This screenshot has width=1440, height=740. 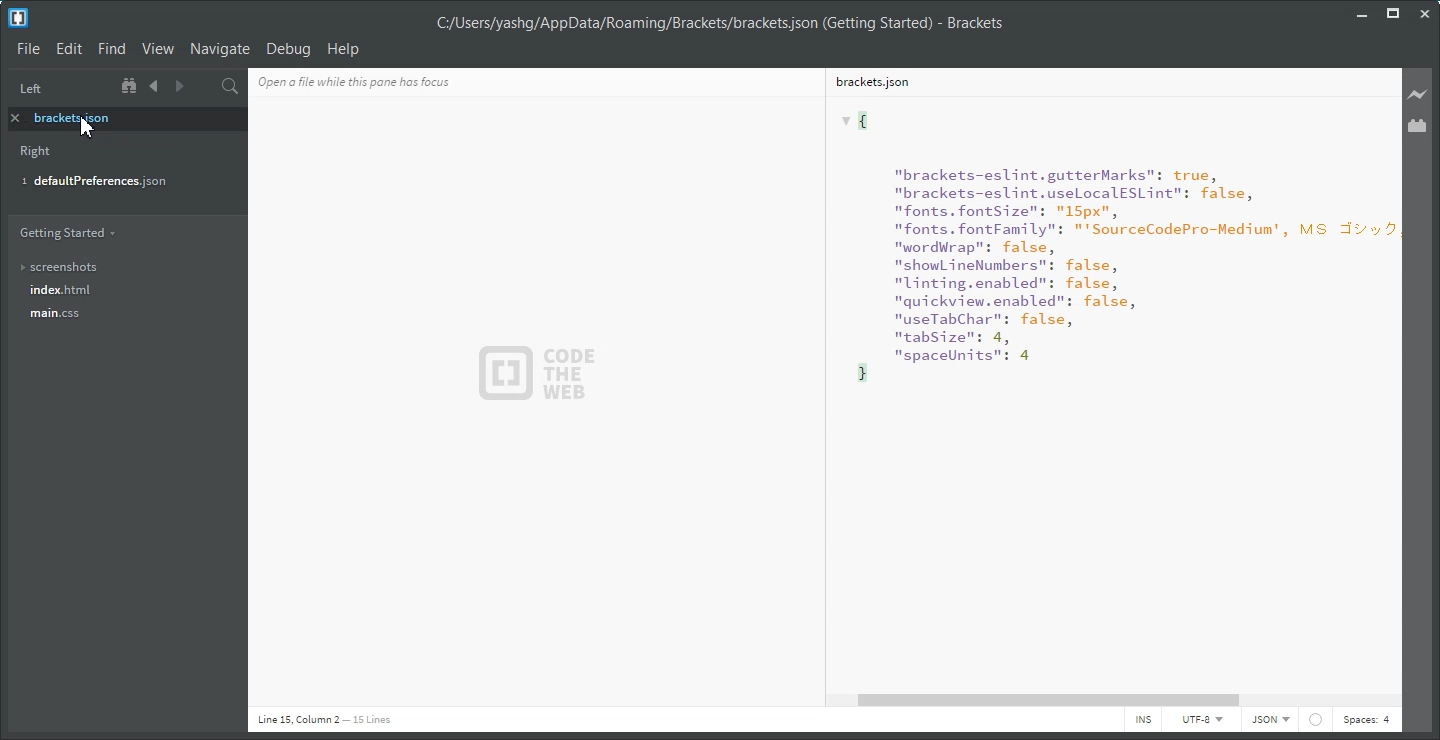 I want to click on HTML, so click(x=1269, y=721).